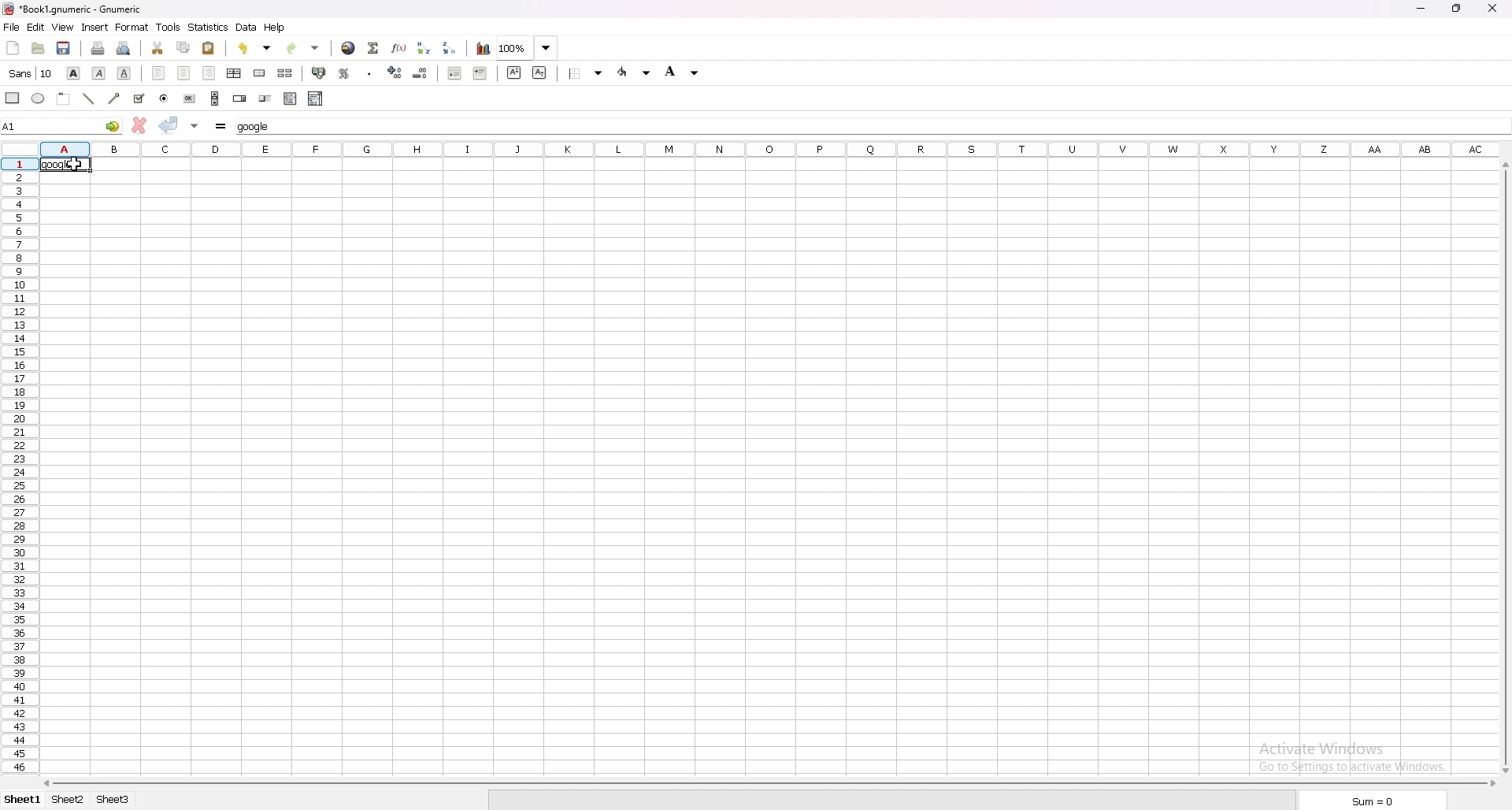 The width and height of the screenshot is (1512, 810). Describe the element at coordinates (208, 72) in the screenshot. I see `right align` at that location.